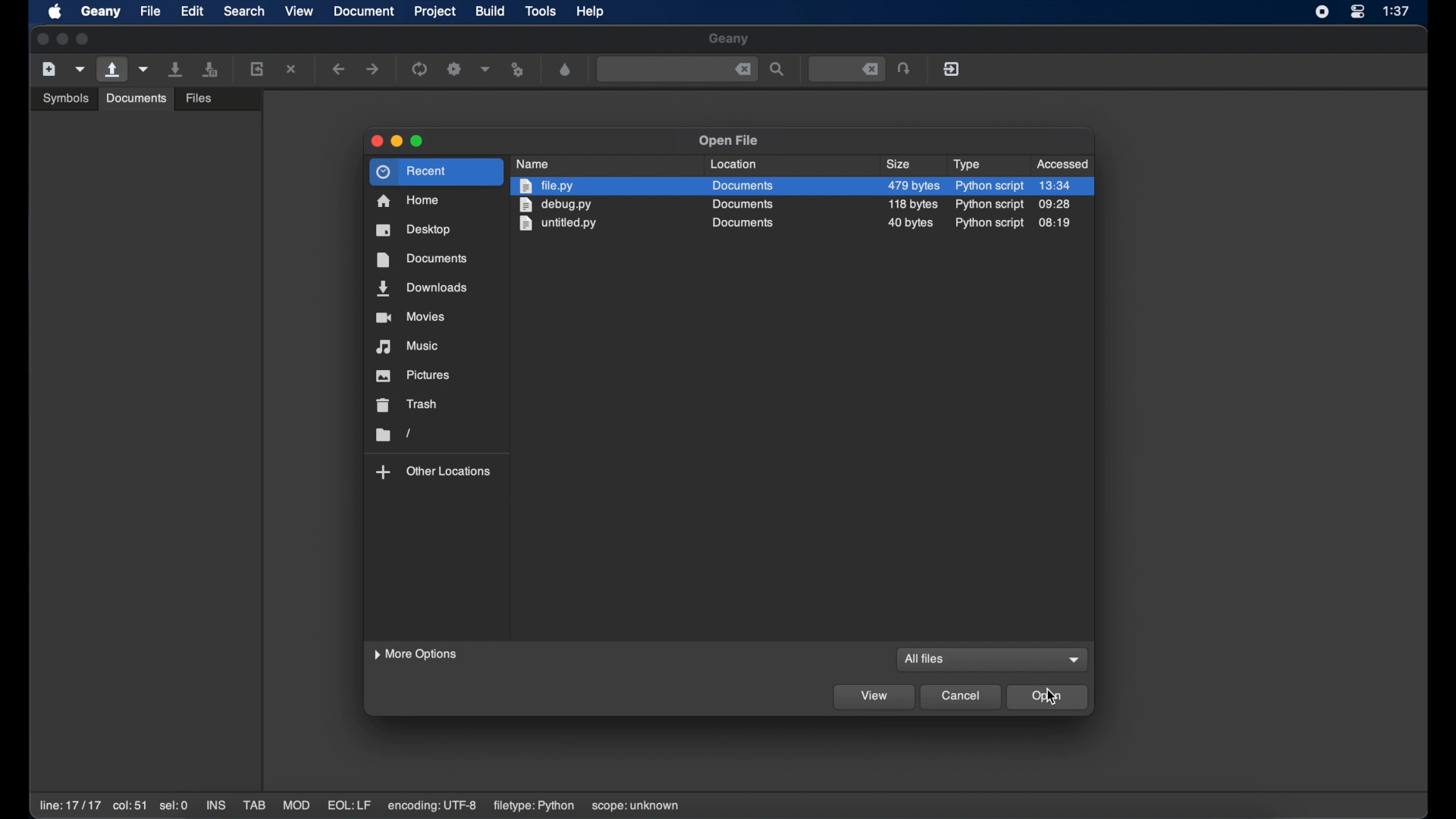  Describe the element at coordinates (990, 224) in the screenshot. I see `python script` at that location.